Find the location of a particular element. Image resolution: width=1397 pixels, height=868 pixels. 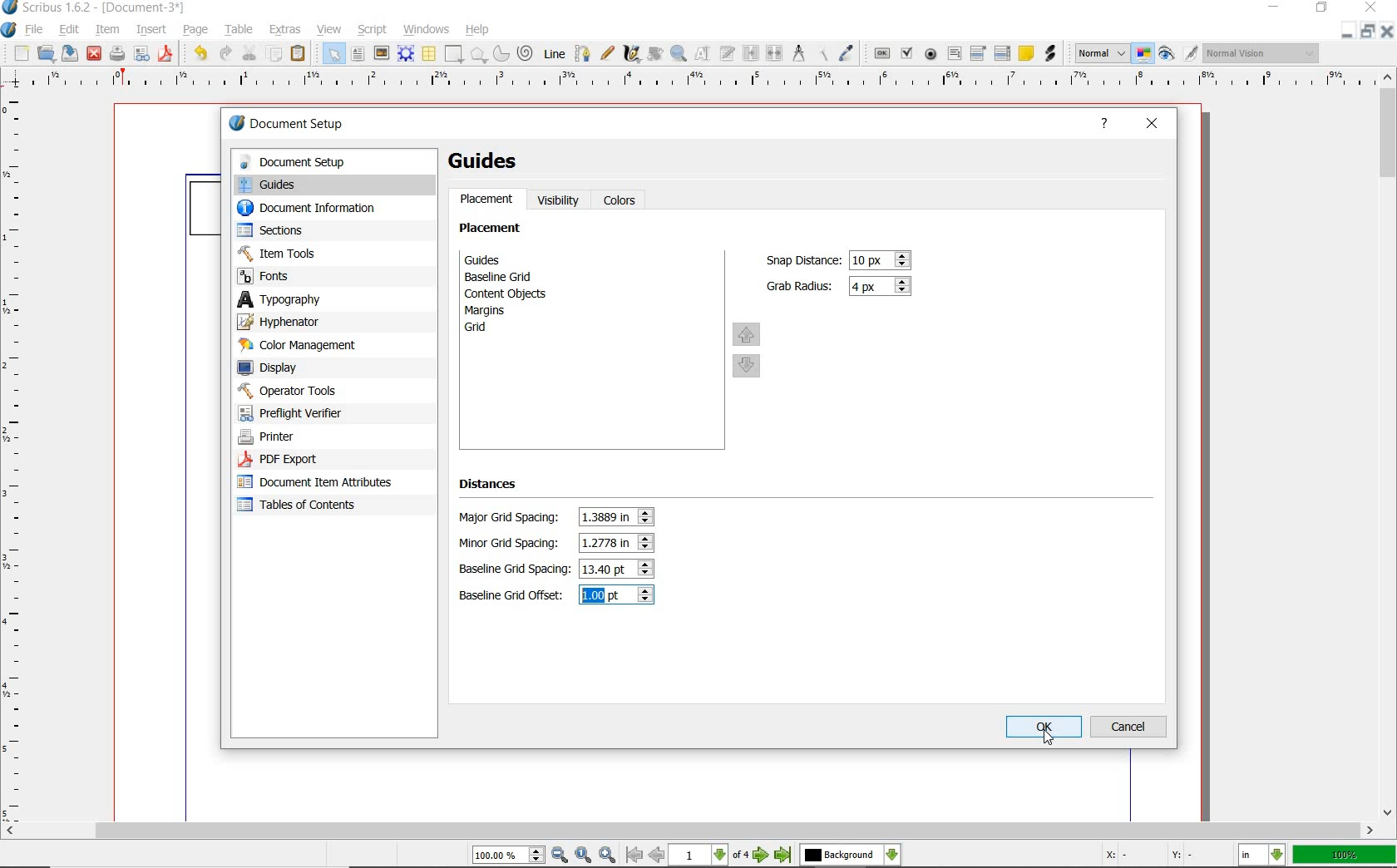

zoom in or zoom out is located at coordinates (679, 55).